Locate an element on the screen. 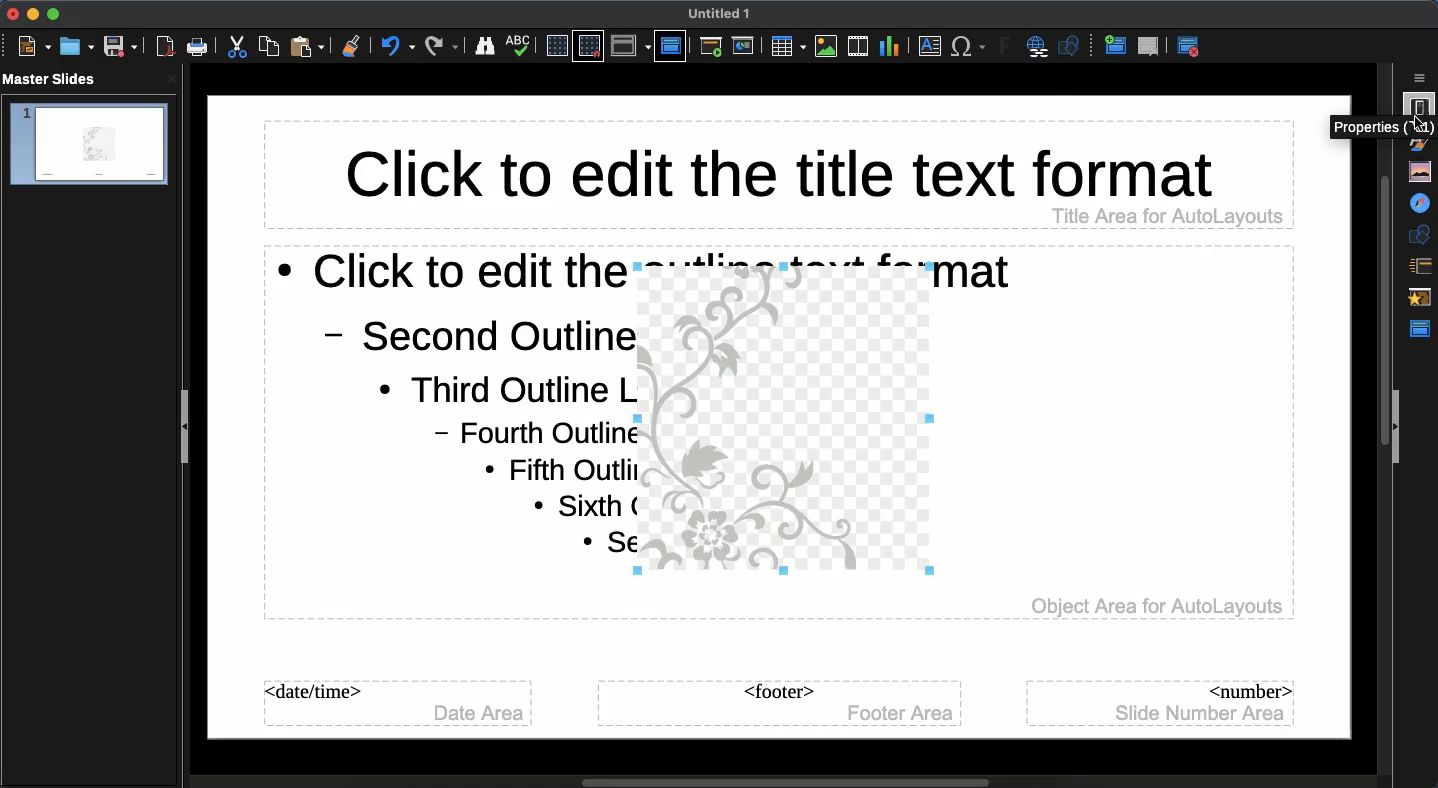 Image resolution: width=1438 pixels, height=788 pixels. Master slide footer is located at coordinates (778, 704).